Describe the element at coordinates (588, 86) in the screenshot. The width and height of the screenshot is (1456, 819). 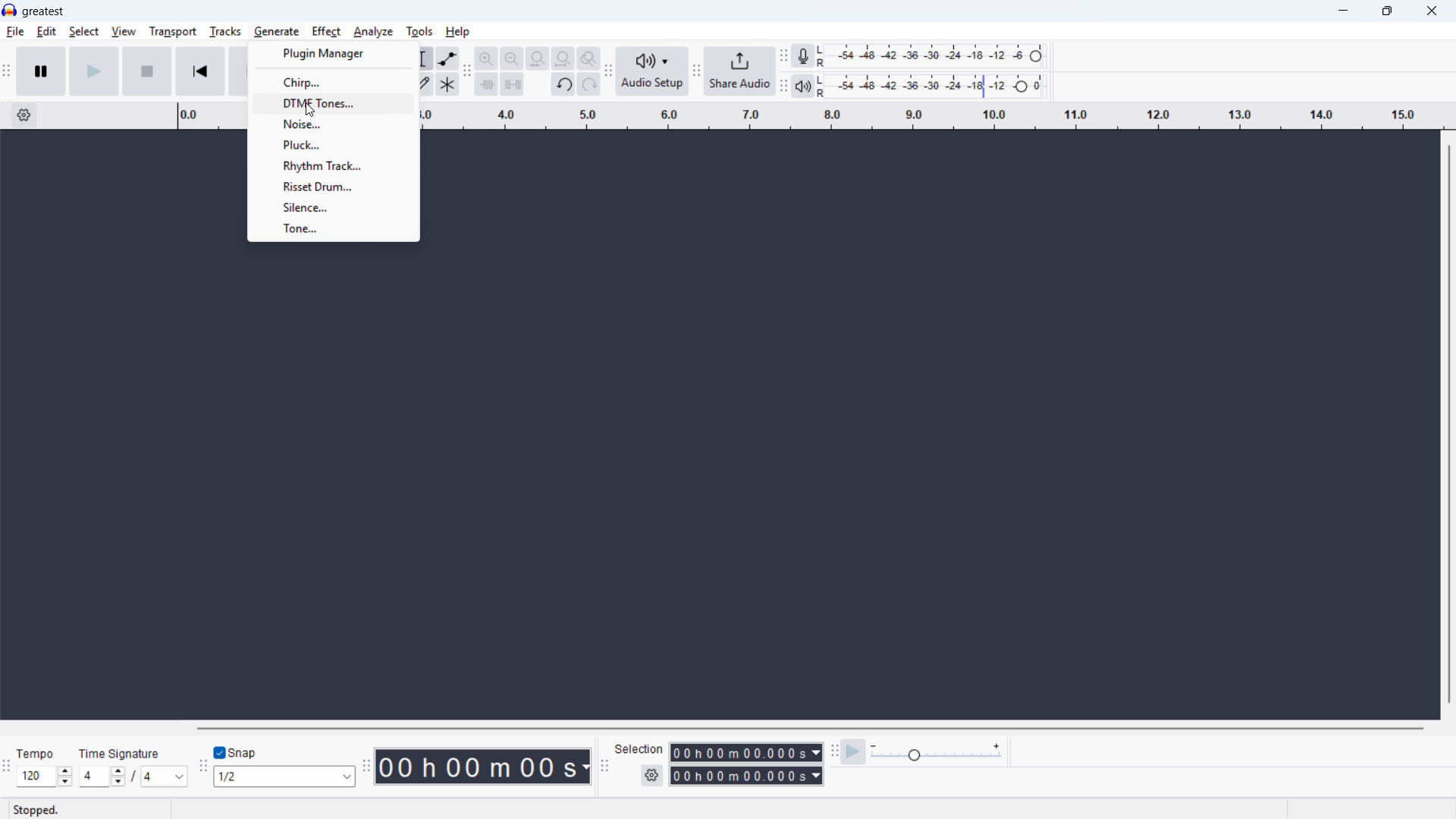
I see `redo` at that location.